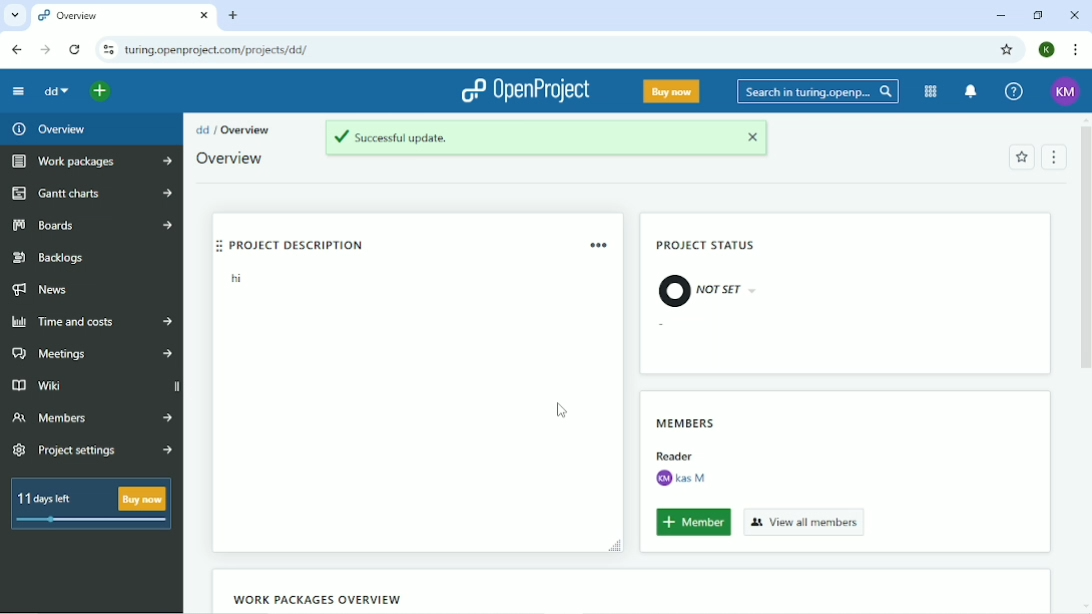  I want to click on News, so click(44, 291).